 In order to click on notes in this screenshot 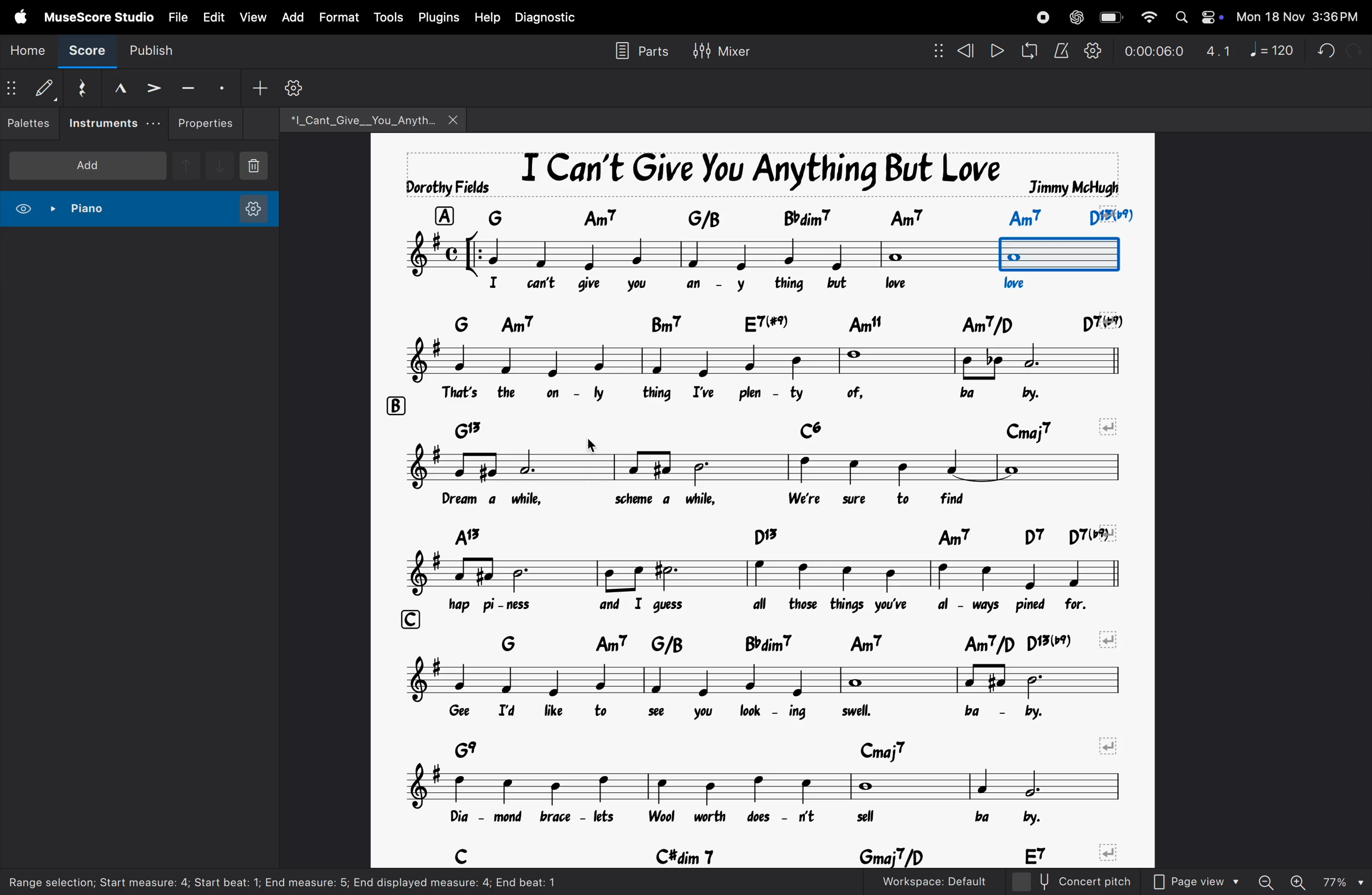, I will do `click(768, 363)`.